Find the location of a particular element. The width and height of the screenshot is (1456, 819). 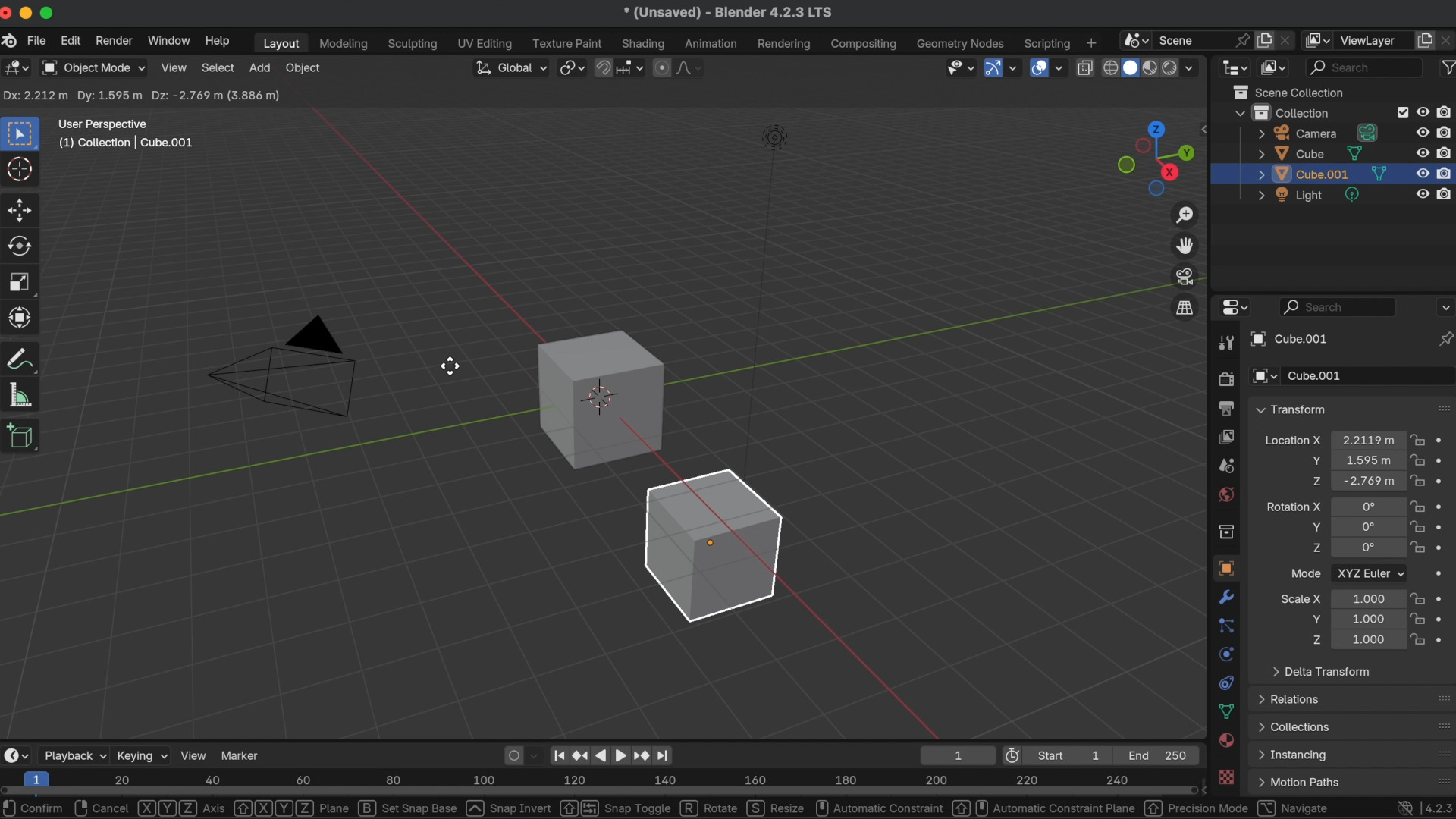

object mode drop down is located at coordinates (93, 68).